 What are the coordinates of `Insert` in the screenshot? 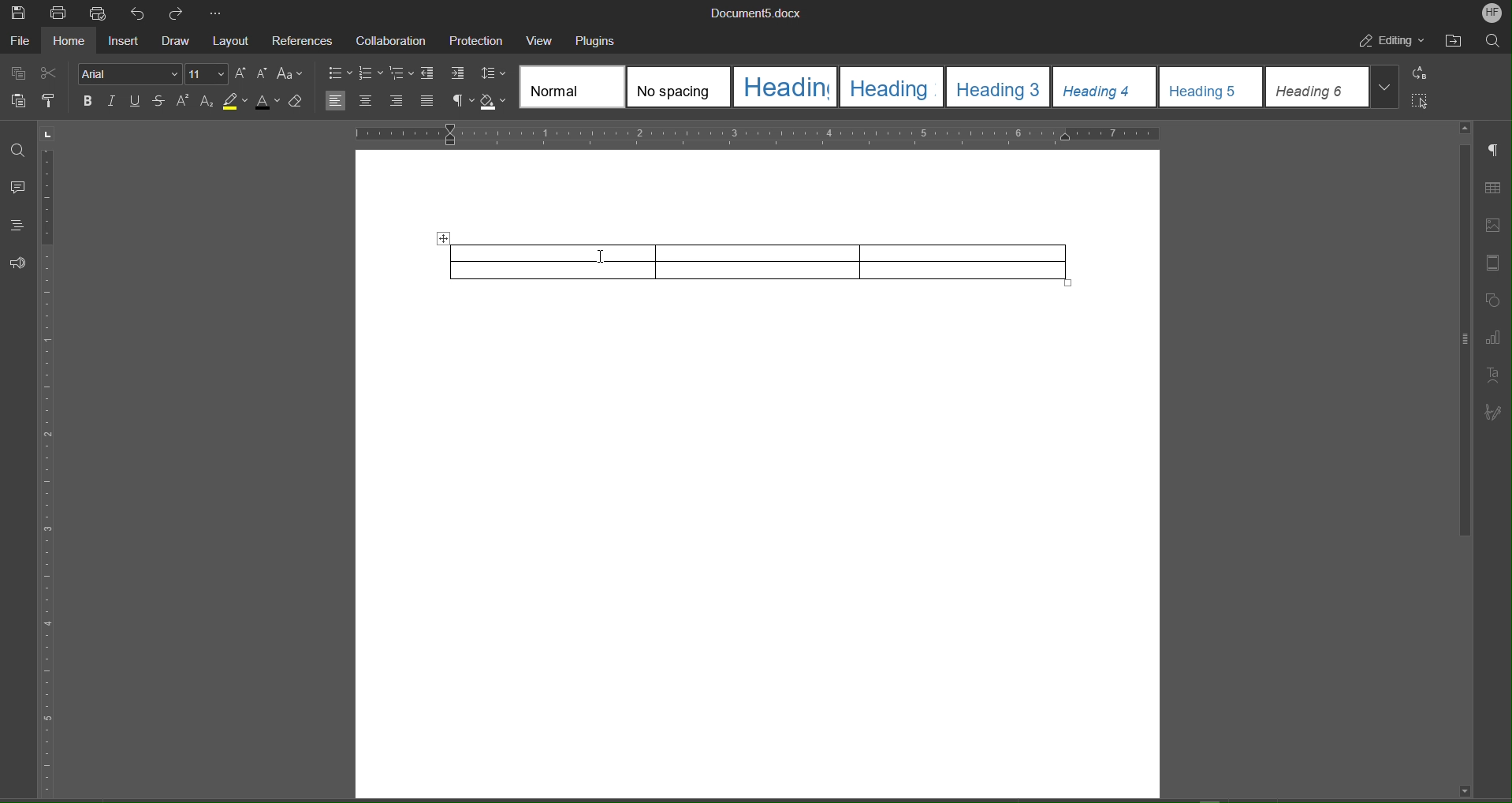 It's located at (127, 43).